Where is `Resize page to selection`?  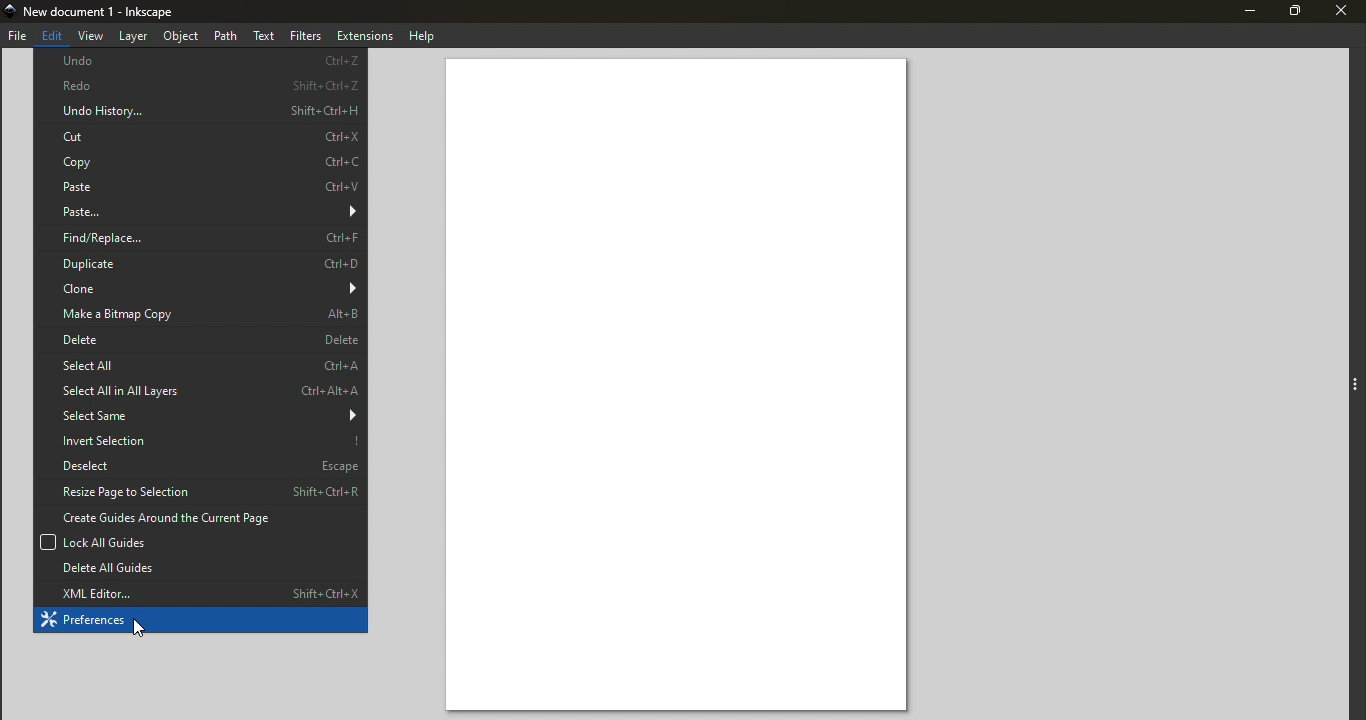 Resize page to selection is located at coordinates (199, 491).